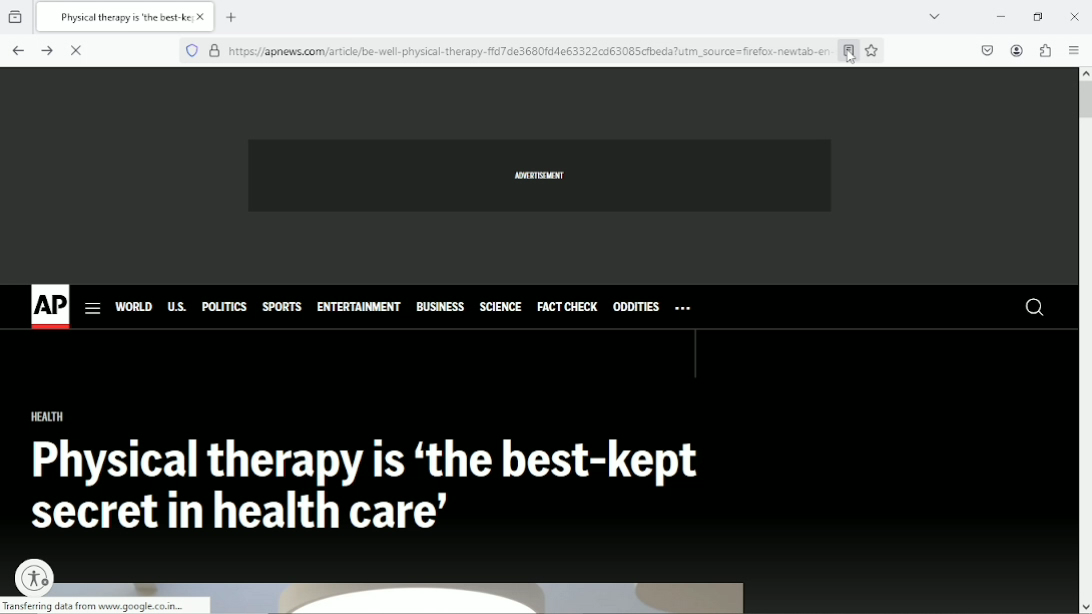 This screenshot has width=1092, height=614. I want to click on ODDITIES, so click(635, 305).